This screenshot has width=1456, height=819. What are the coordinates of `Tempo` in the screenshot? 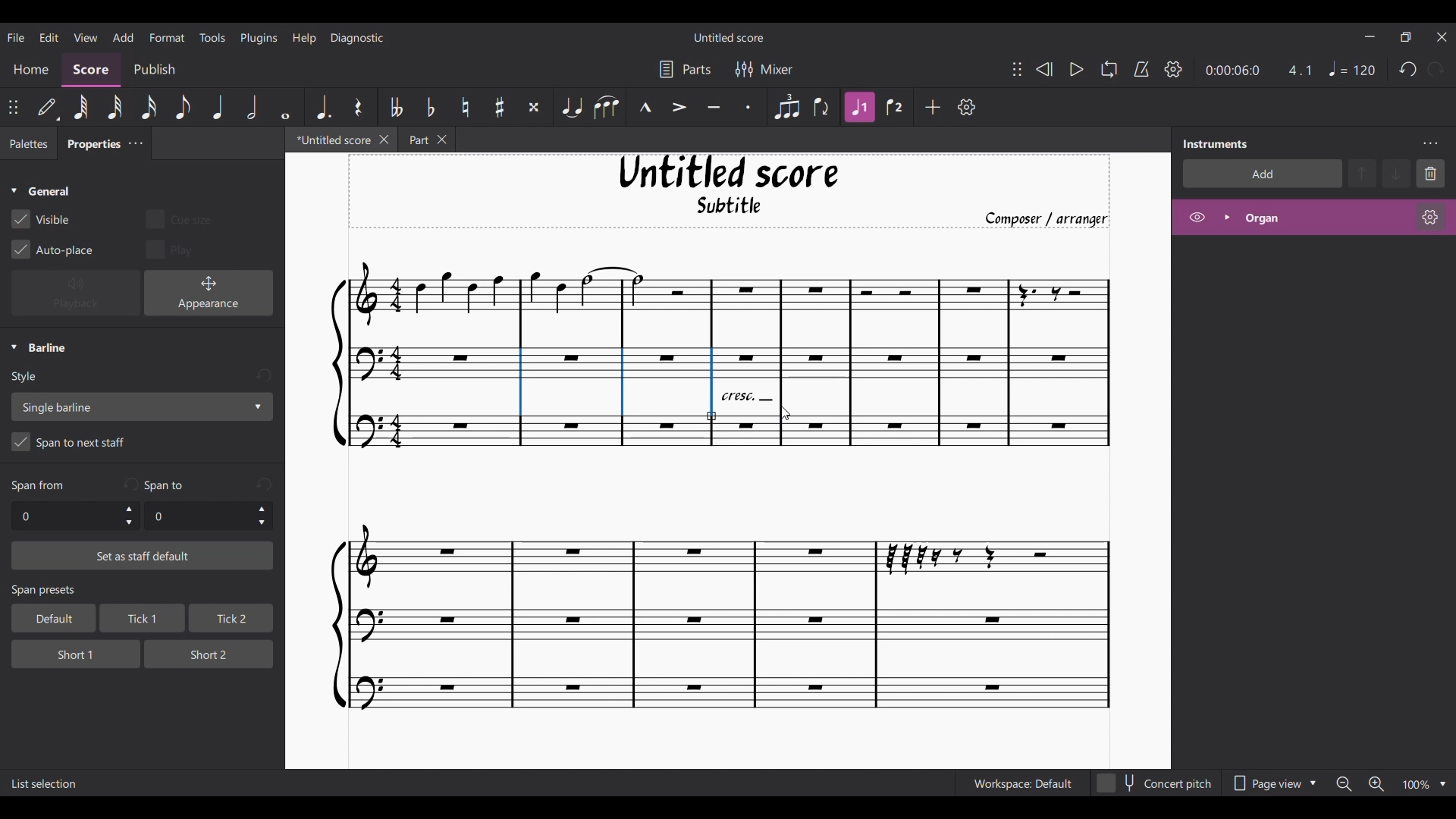 It's located at (1352, 69).